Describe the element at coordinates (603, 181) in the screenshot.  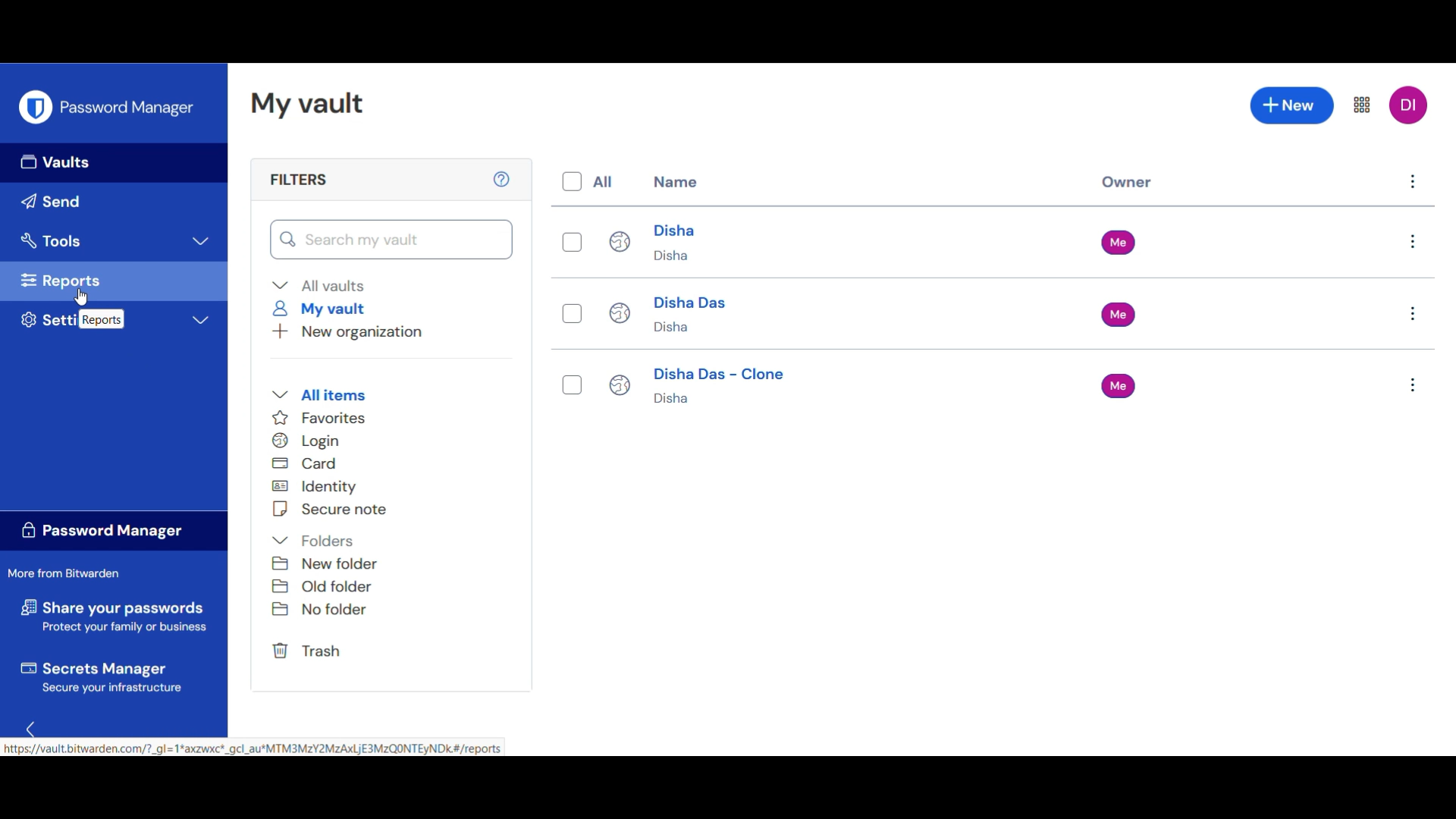
I see `Indicates all toggle` at that location.